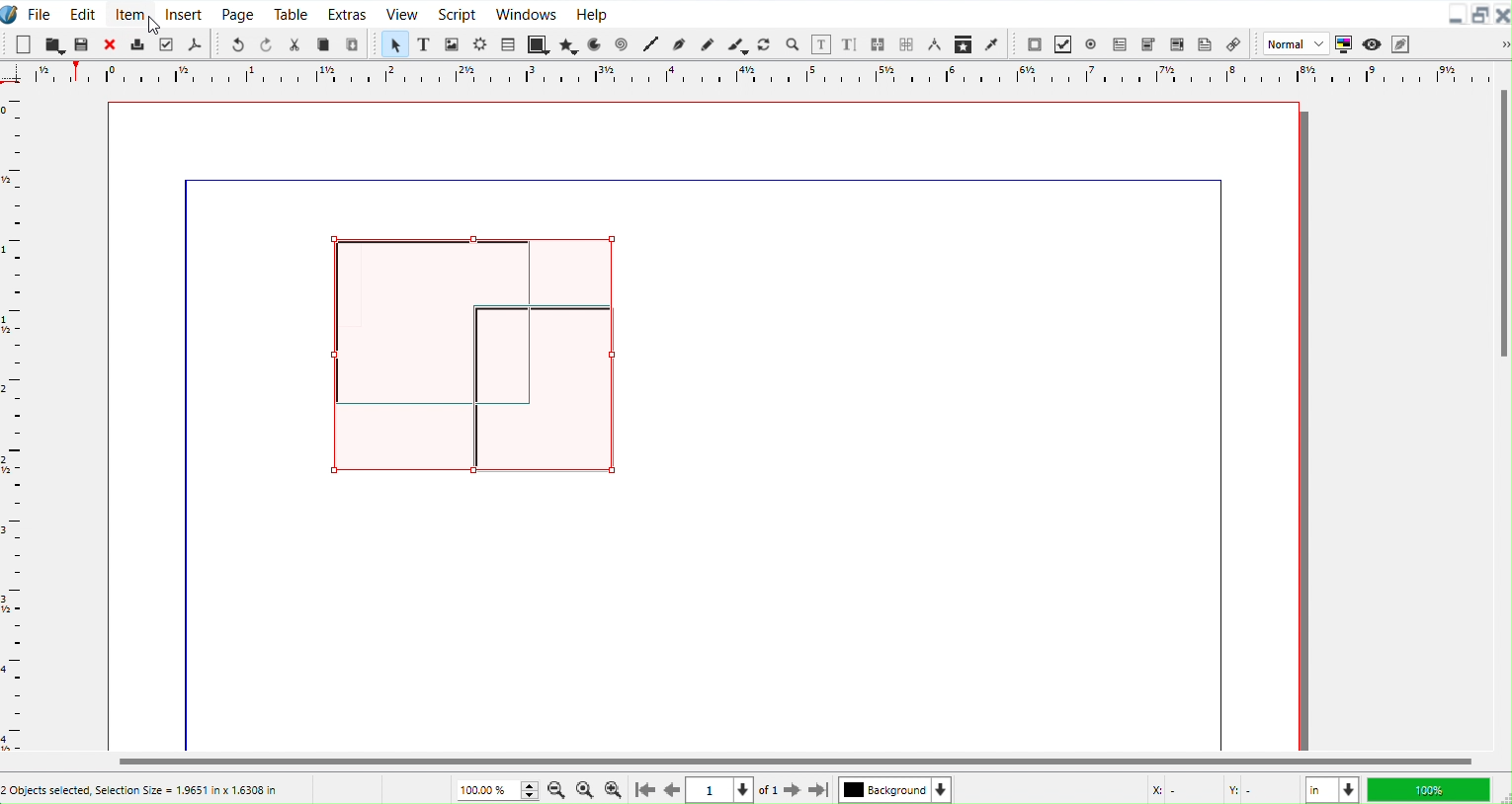 The width and height of the screenshot is (1512, 804). I want to click on Select current page, so click(721, 790).